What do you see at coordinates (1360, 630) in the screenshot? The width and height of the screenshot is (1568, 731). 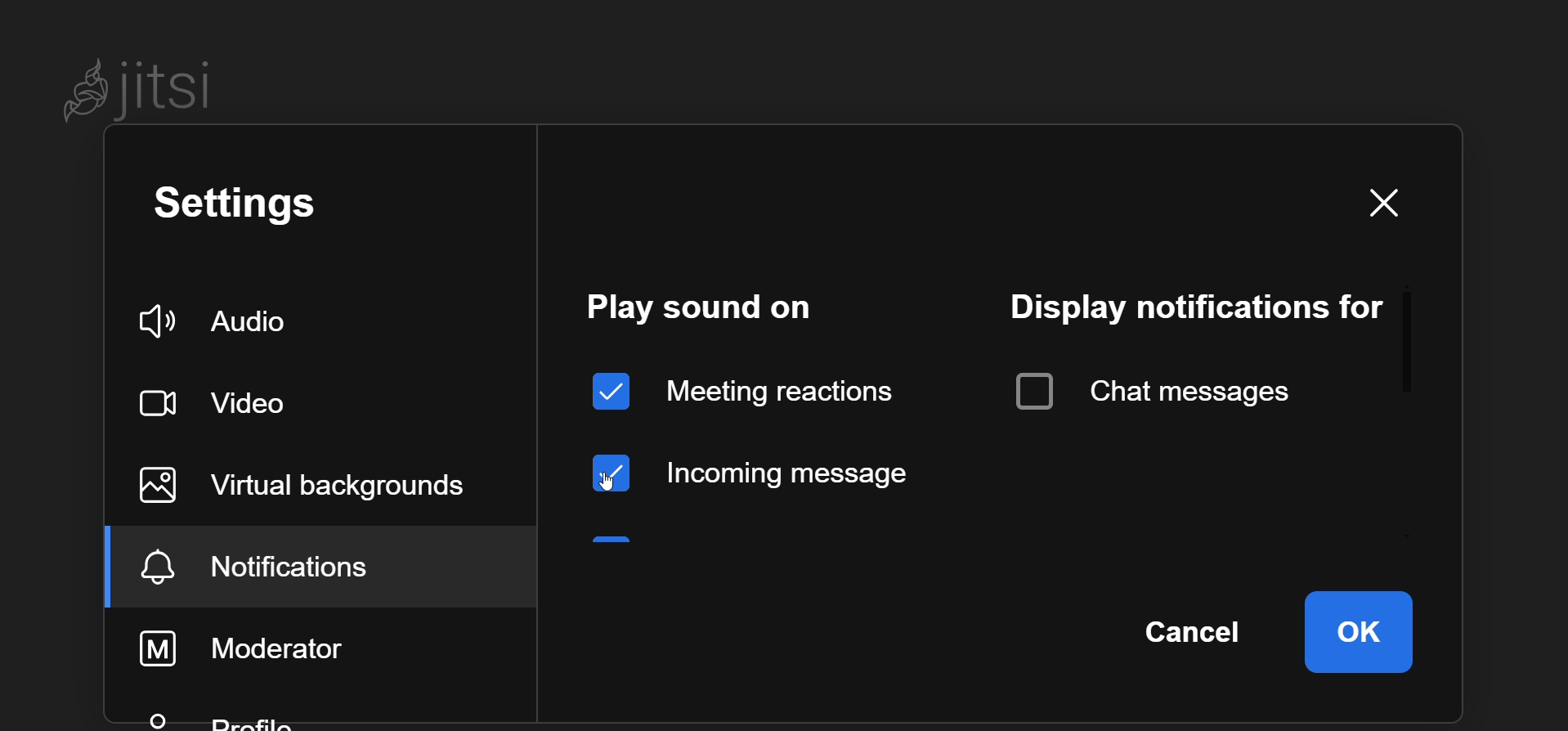 I see `ok` at bounding box center [1360, 630].